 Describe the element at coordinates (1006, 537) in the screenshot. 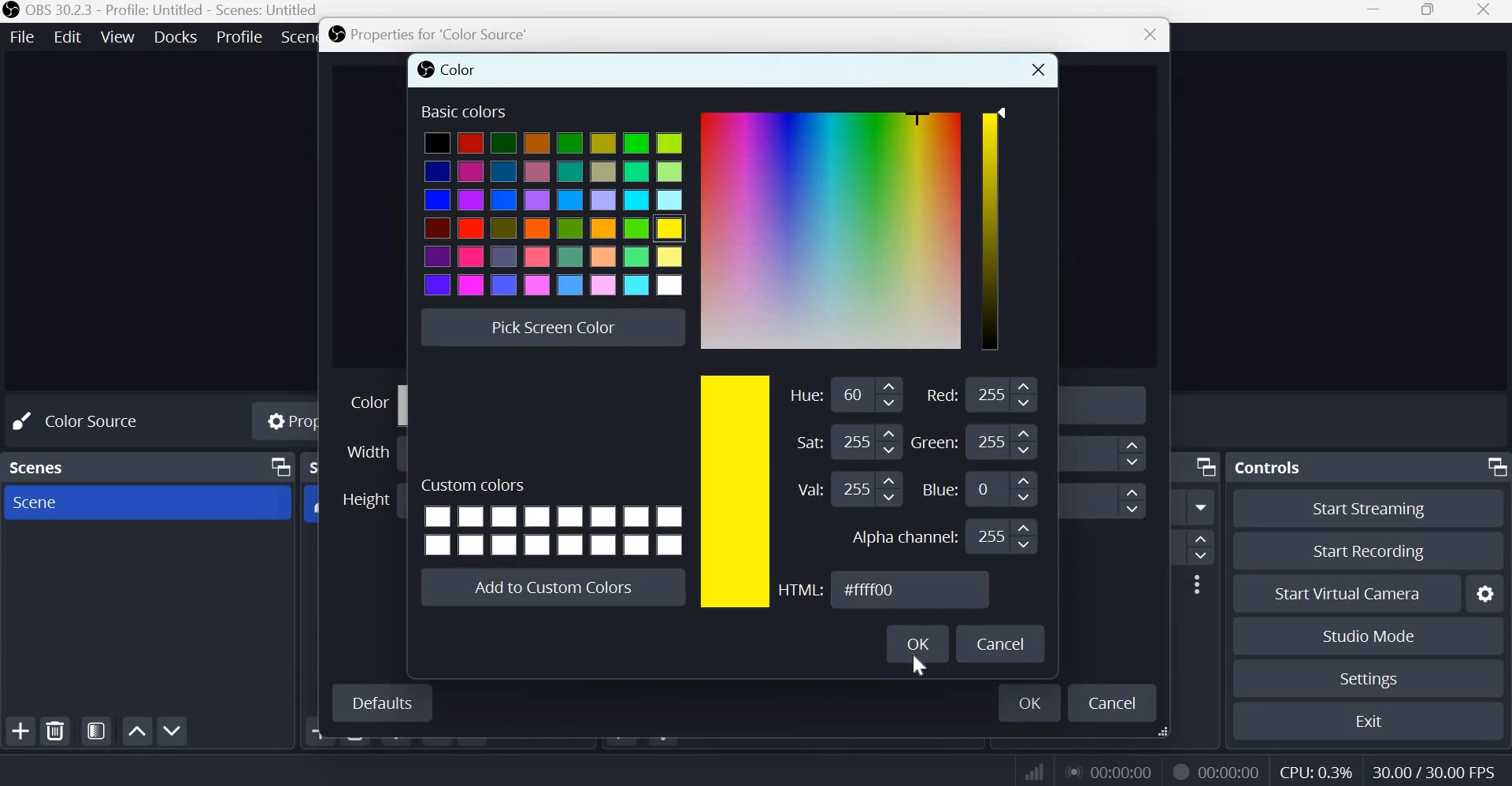

I see `Input` at that location.